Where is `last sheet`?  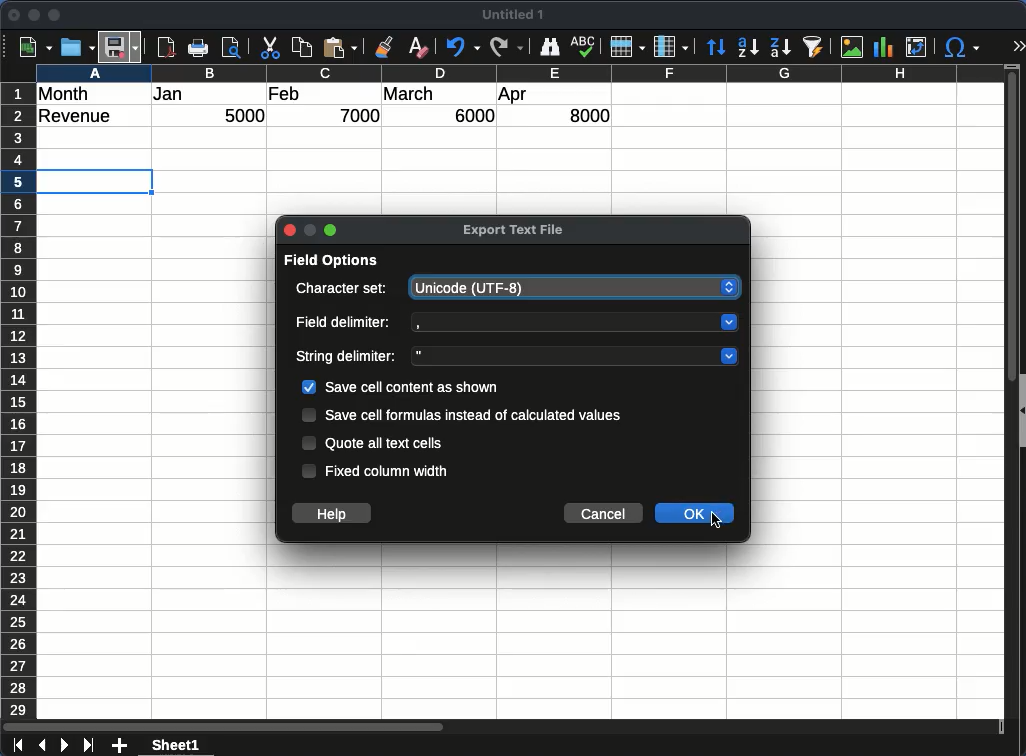
last sheet is located at coordinates (88, 746).